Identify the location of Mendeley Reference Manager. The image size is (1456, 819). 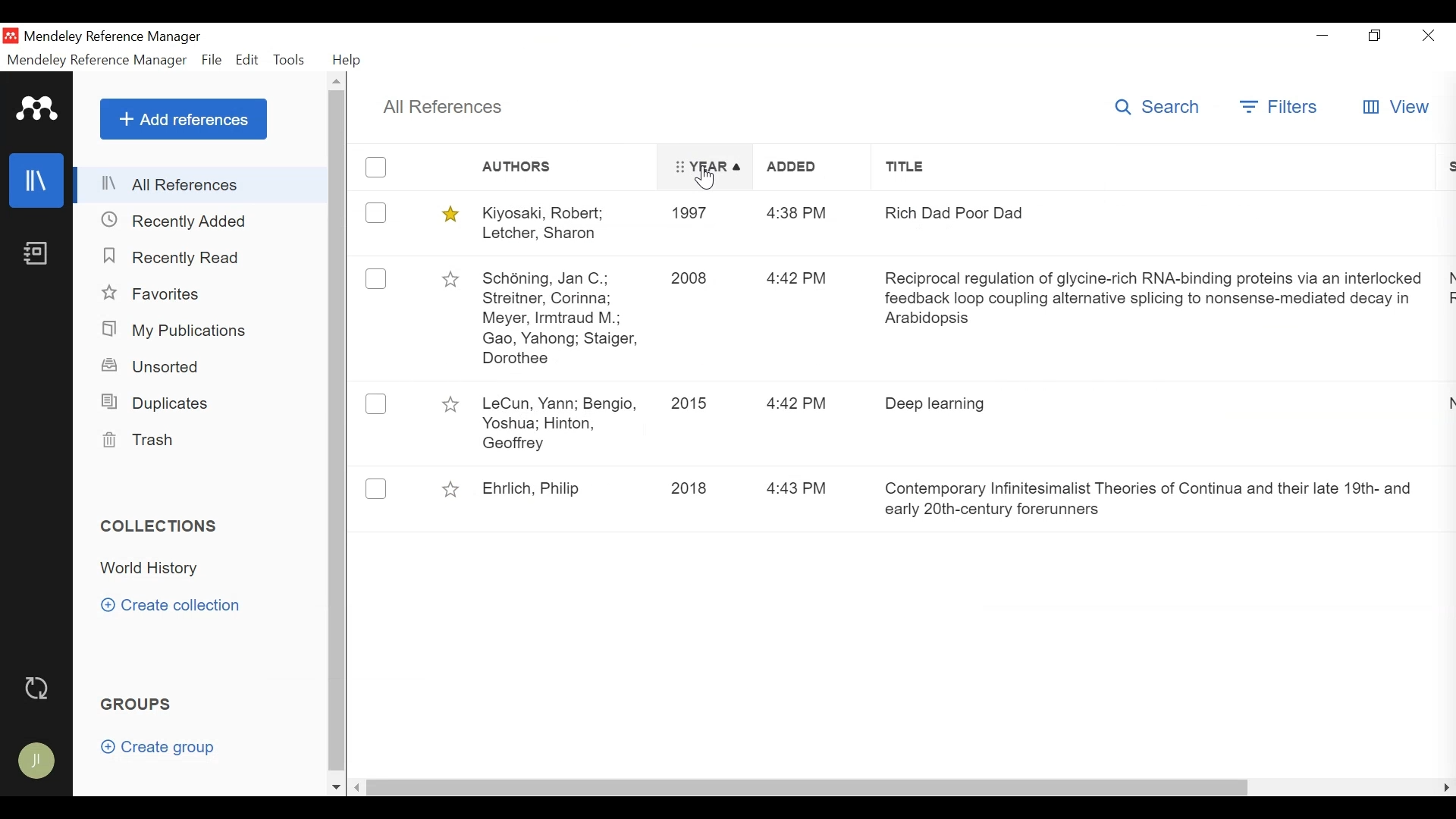
(98, 61).